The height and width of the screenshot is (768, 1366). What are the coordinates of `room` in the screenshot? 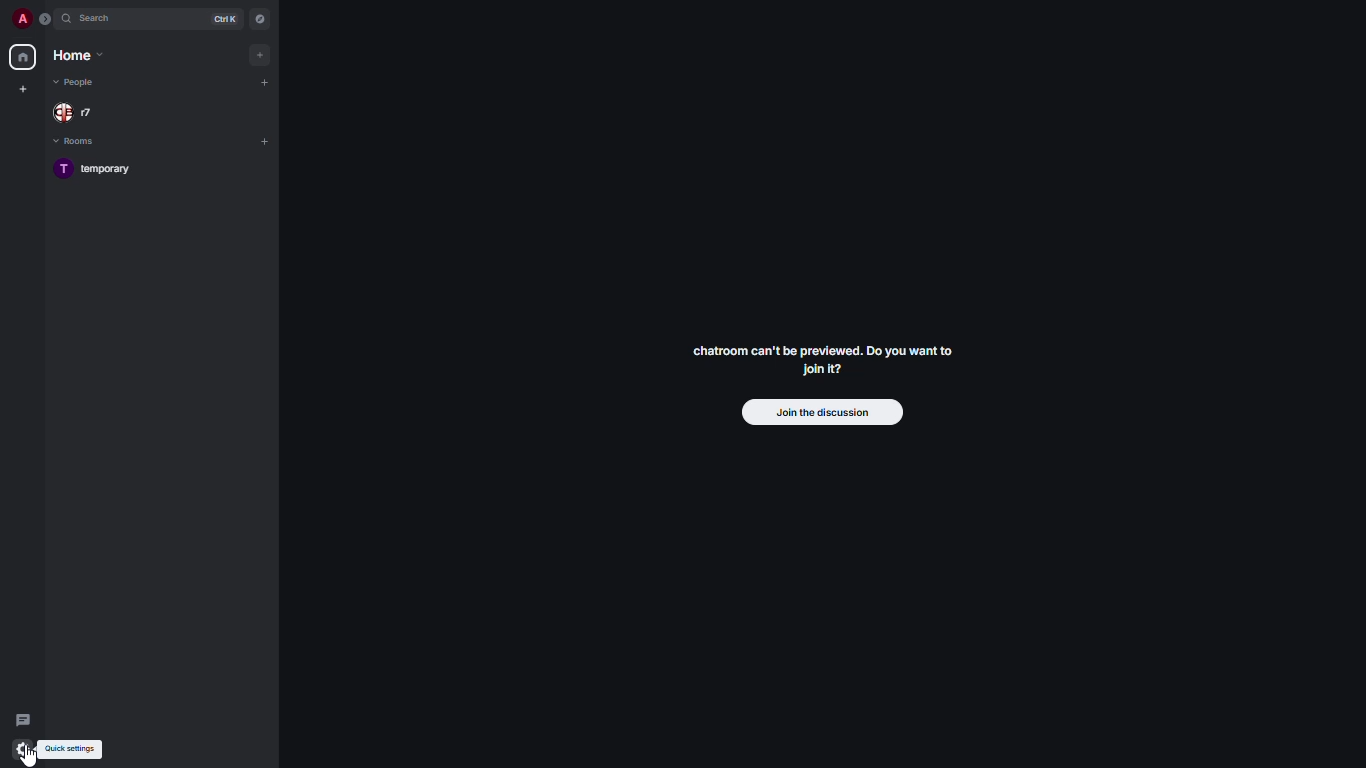 It's located at (102, 171).